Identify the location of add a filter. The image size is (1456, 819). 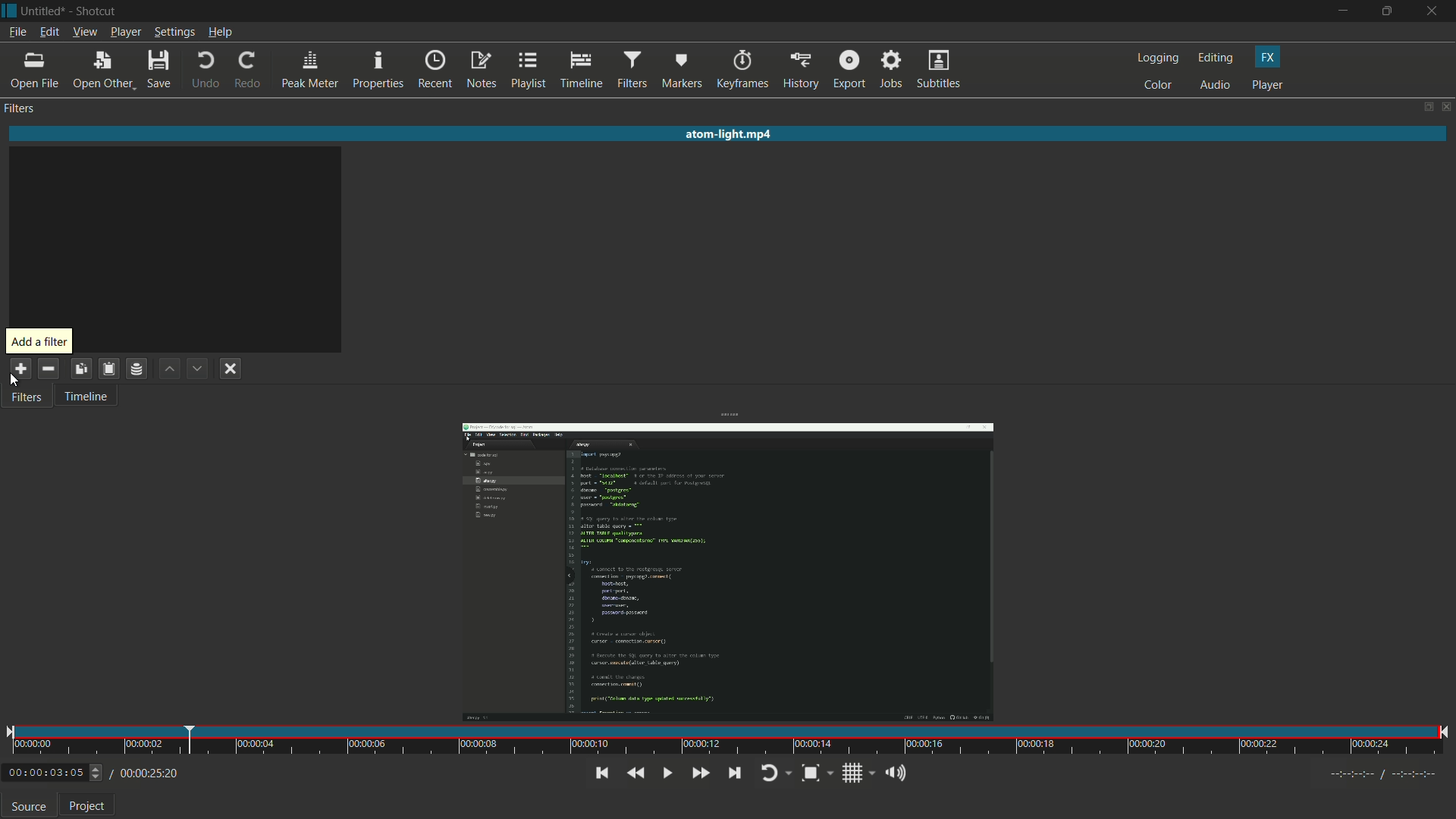
(24, 369).